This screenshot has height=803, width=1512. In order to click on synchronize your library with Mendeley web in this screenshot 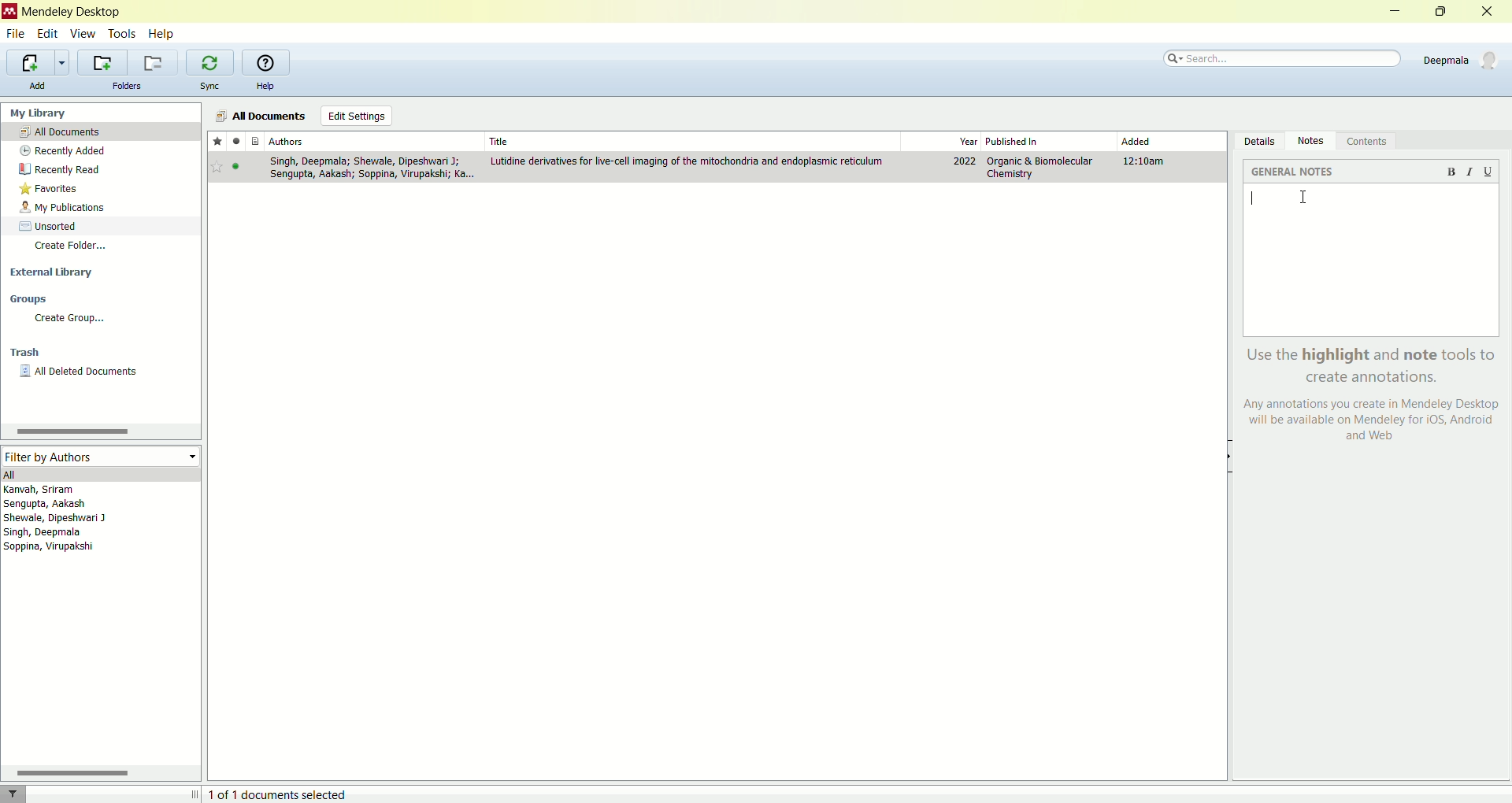, I will do `click(212, 62)`.